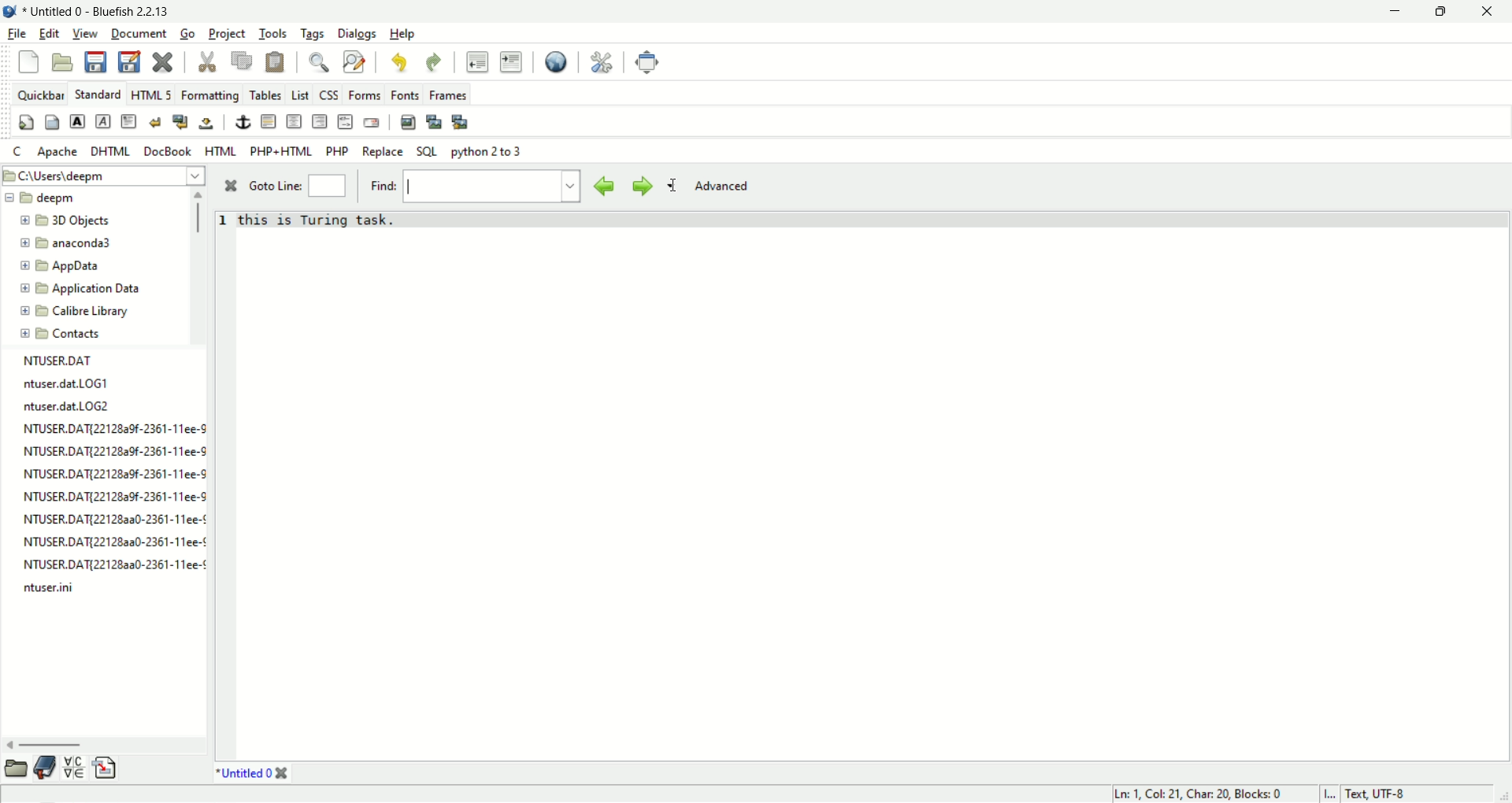 The image size is (1512, 803). I want to click on list, so click(302, 96).